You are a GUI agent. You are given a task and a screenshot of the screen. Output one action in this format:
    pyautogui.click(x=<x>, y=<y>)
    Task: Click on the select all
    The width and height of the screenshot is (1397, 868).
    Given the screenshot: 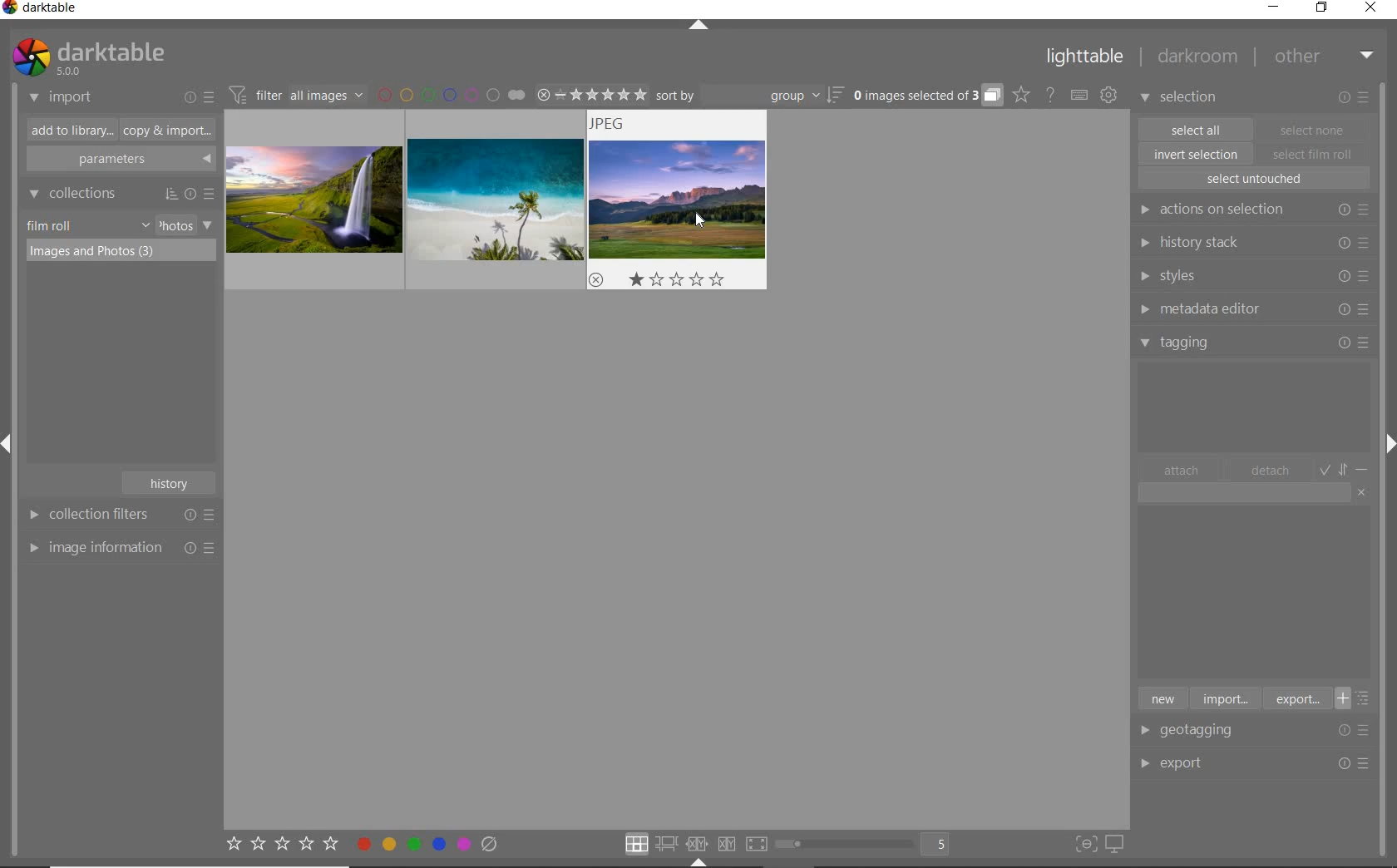 What is the action you would take?
    pyautogui.click(x=1196, y=128)
    